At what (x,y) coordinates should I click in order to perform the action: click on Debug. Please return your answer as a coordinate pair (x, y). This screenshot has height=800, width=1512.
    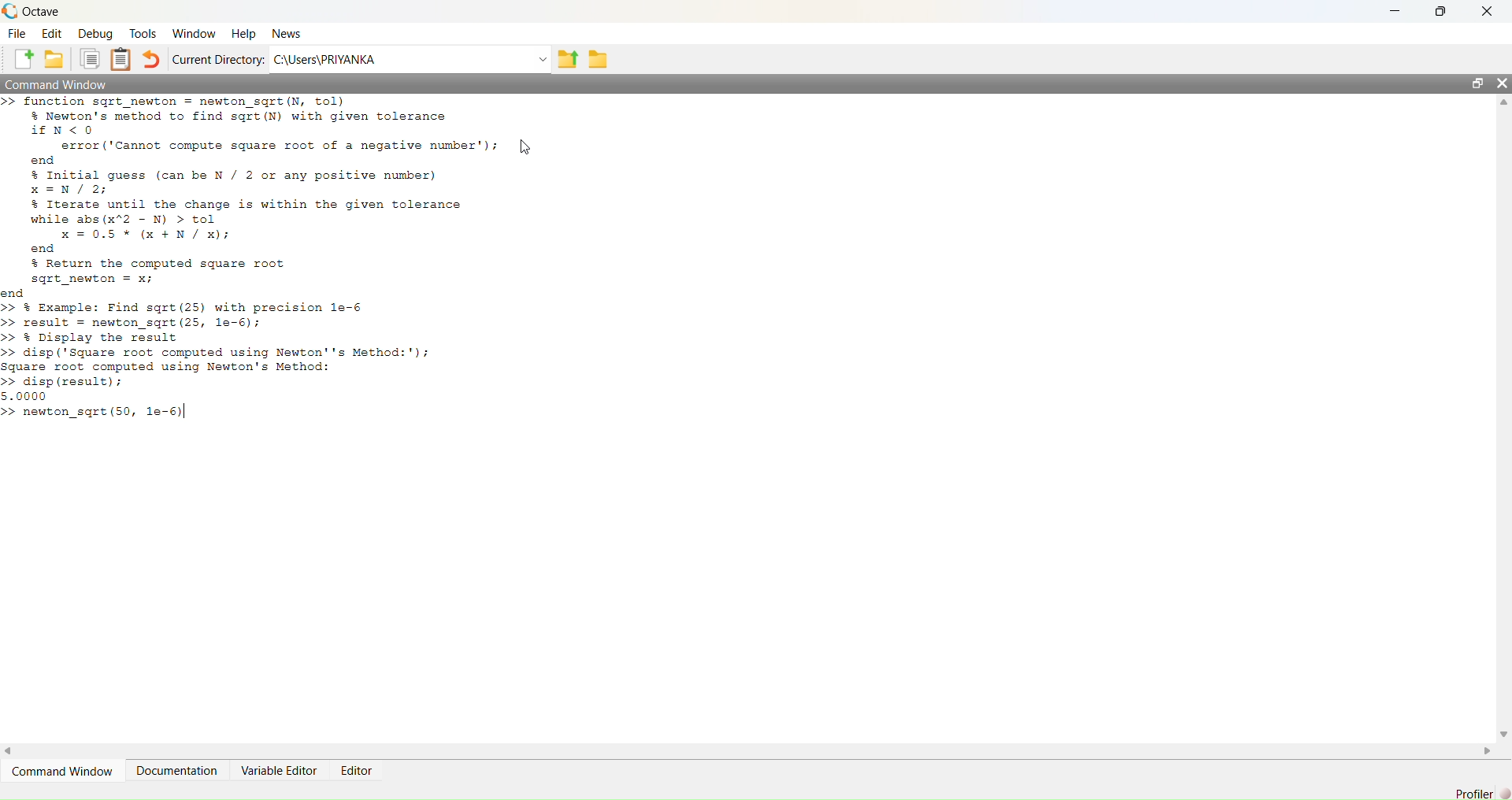
    Looking at the image, I should click on (98, 35).